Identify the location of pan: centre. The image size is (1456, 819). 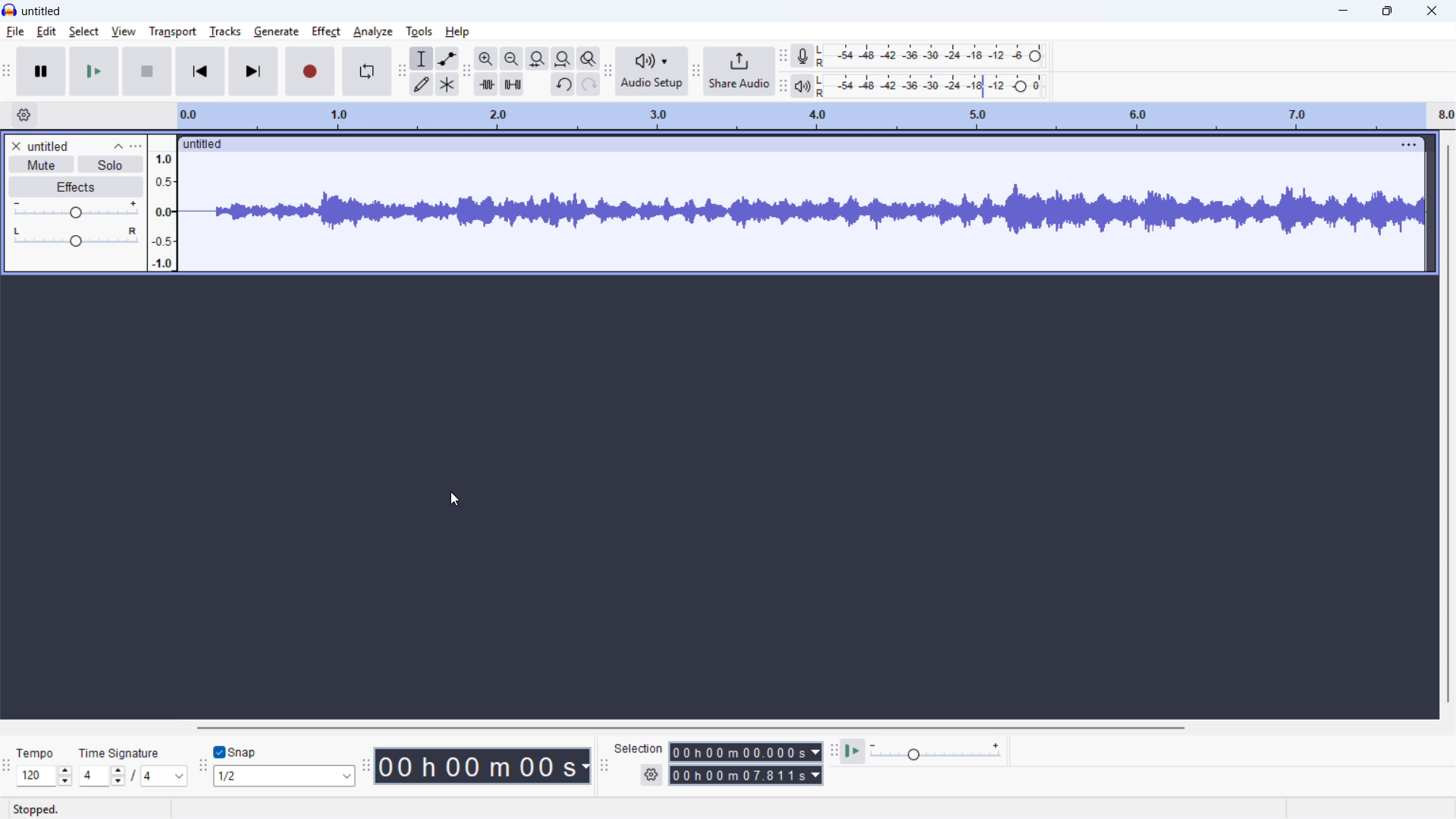
(77, 238).